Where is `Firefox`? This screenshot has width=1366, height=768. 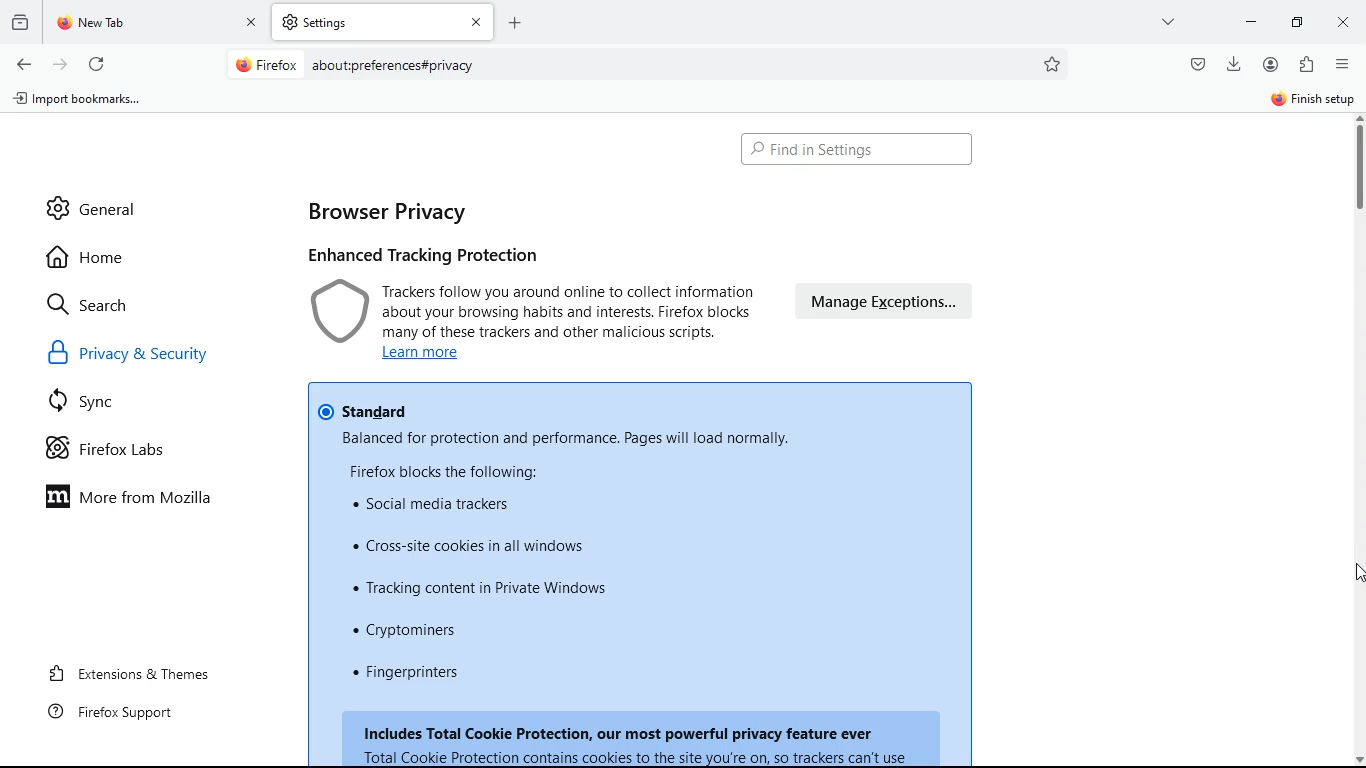 Firefox is located at coordinates (267, 64).